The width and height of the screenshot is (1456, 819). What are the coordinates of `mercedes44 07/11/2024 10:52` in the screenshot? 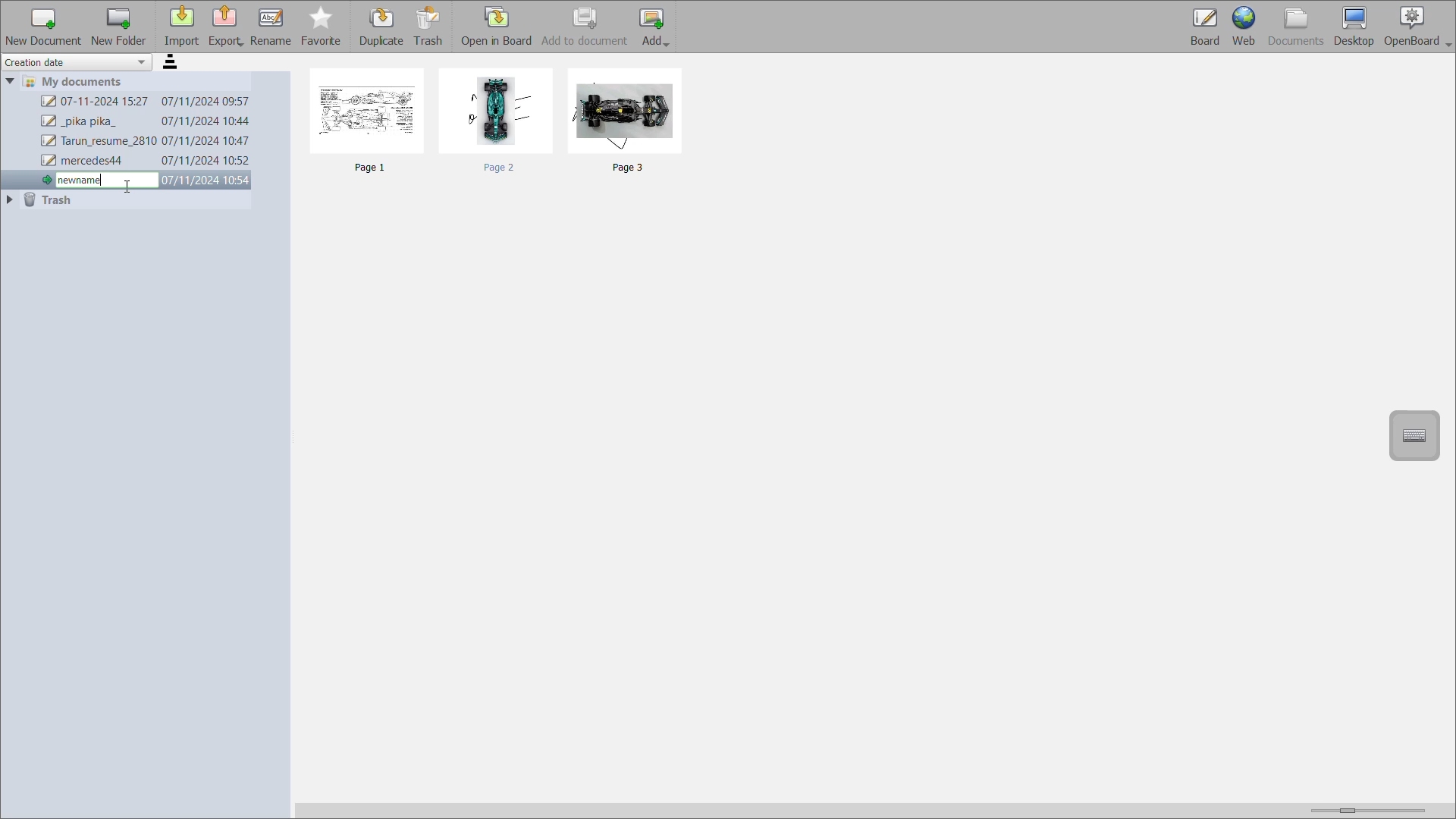 It's located at (146, 162).